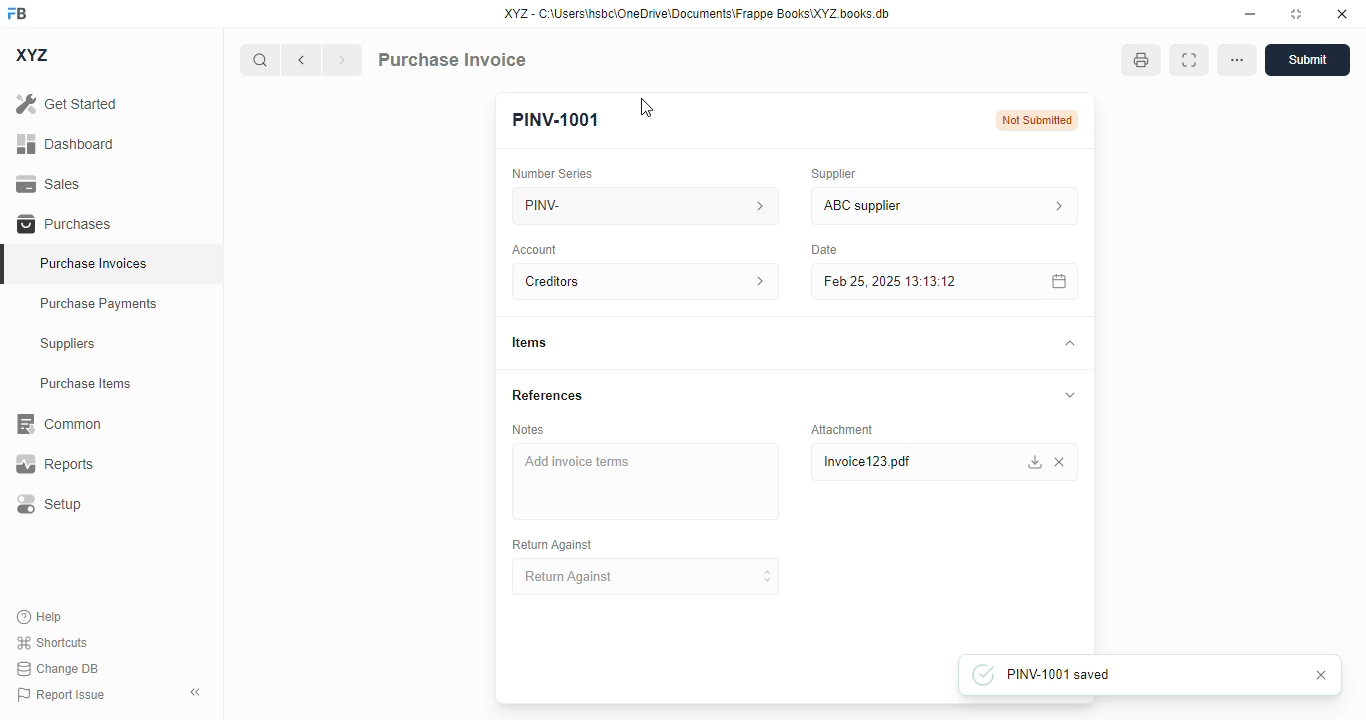 The image size is (1366, 720). I want to click on purchase invoices, so click(96, 263).